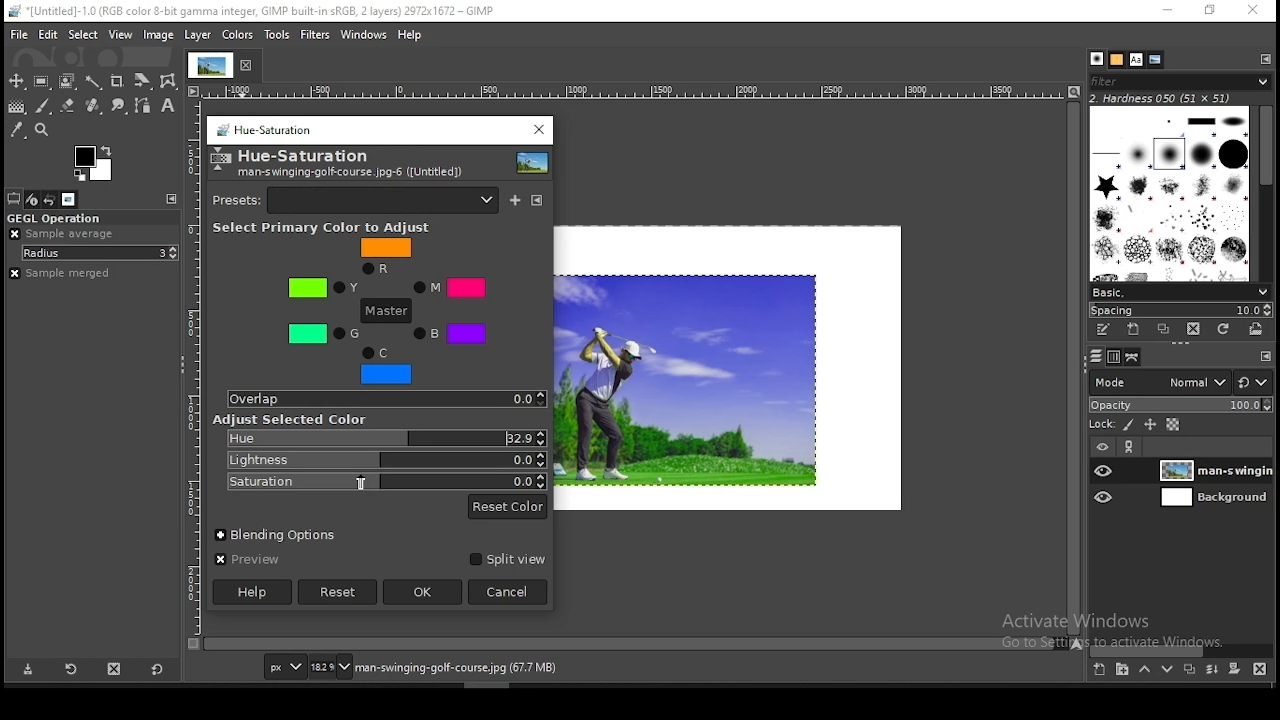  What do you see at coordinates (1188, 651) in the screenshot?
I see `scroll bar` at bounding box center [1188, 651].